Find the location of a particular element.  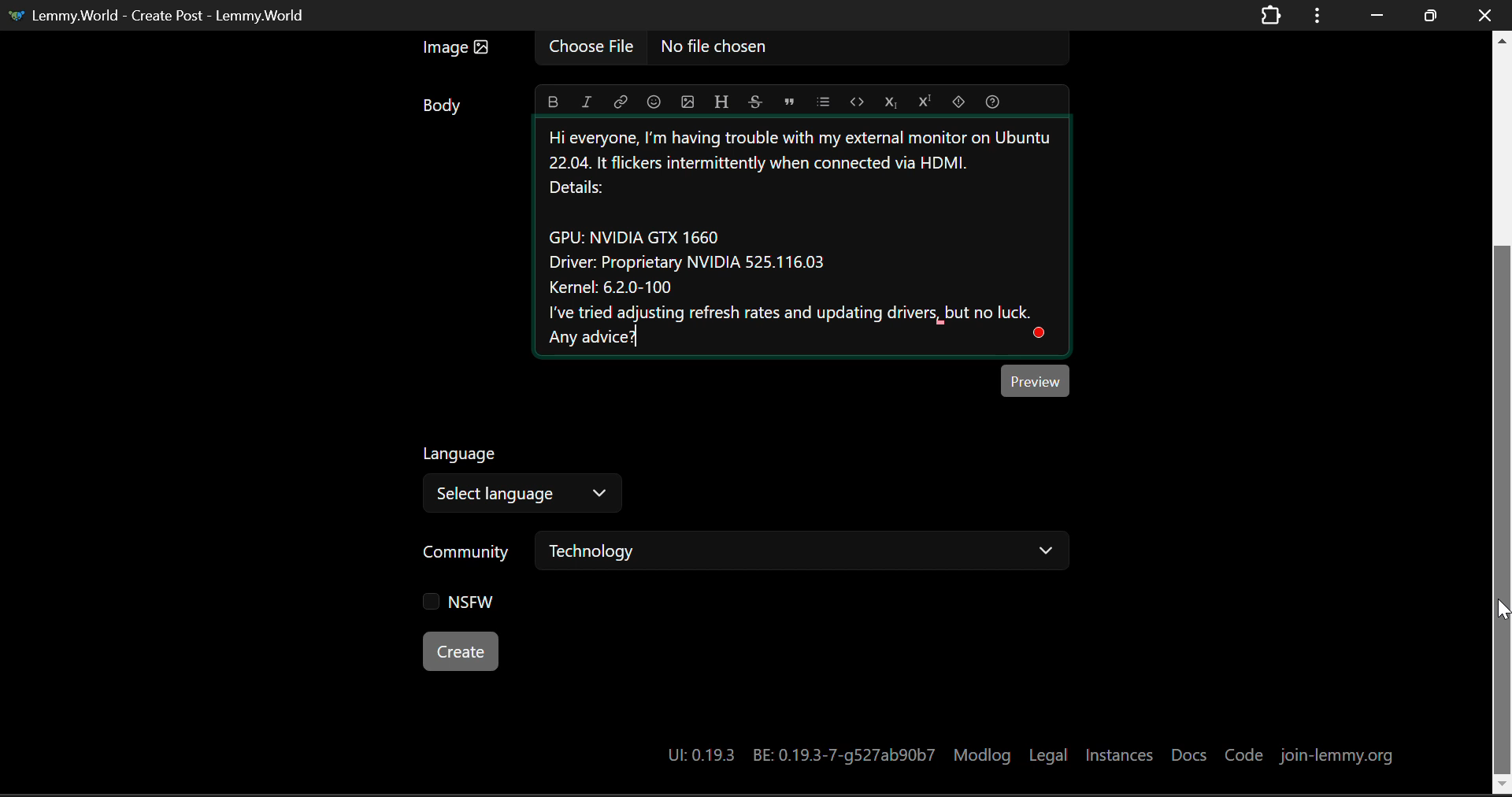

Window Options is located at coordinates (1319, 16).